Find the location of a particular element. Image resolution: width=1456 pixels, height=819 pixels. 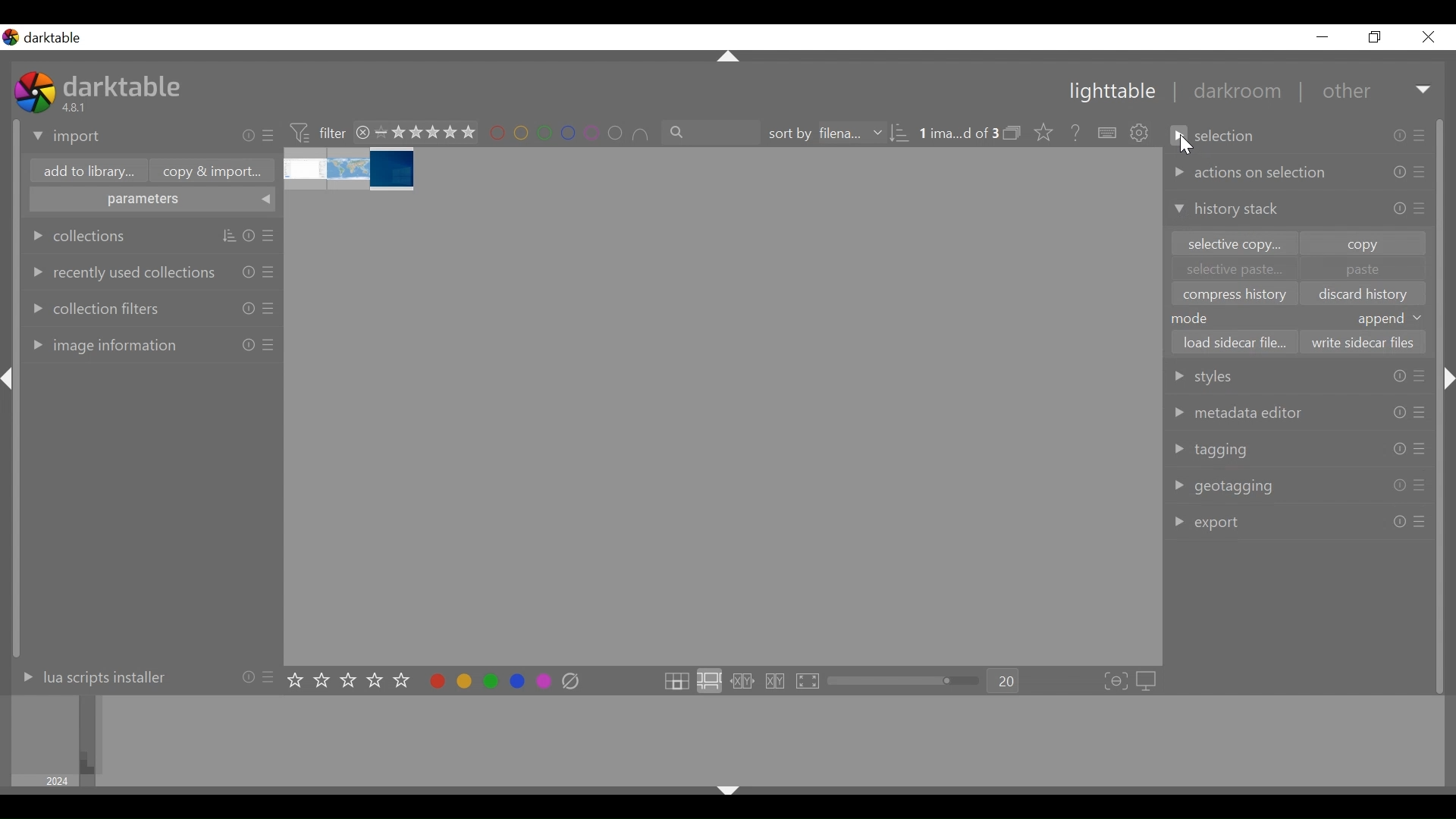

darktable is located at coordinates (125, 85).